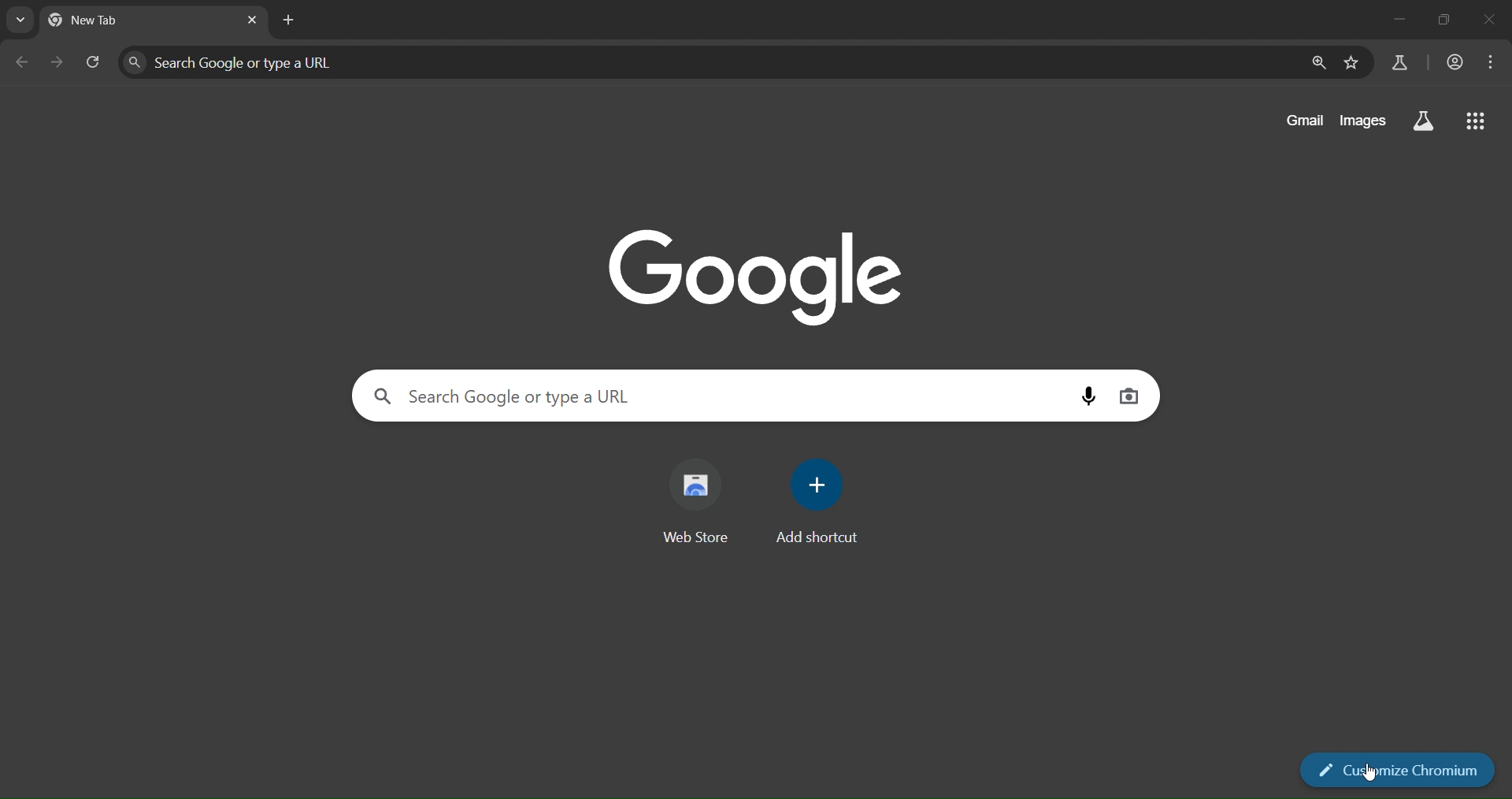  I want to click on images, so click(1364, 122).